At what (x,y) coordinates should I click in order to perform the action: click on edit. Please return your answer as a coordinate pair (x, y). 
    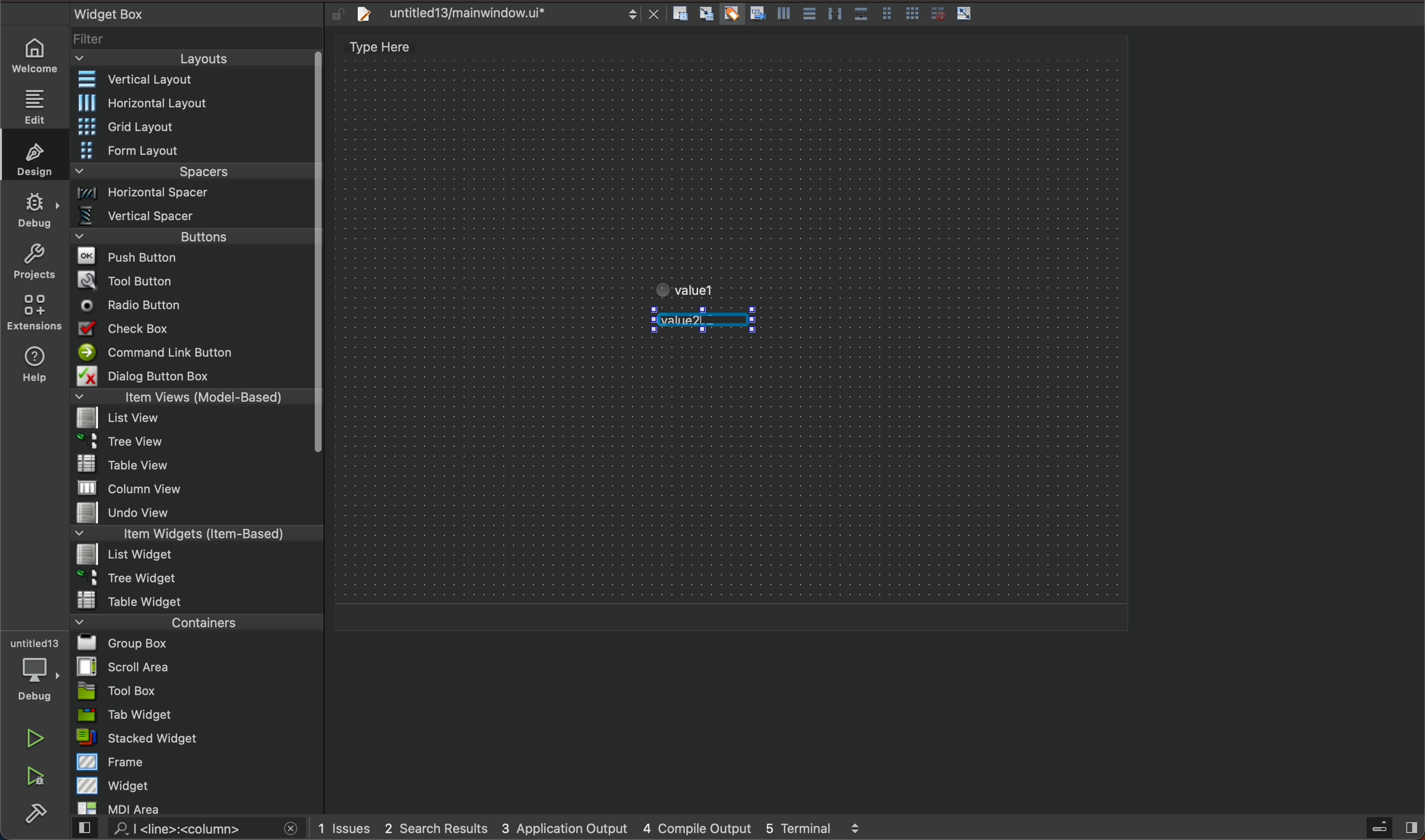
    Looking at the image, I should click on (40, 102).